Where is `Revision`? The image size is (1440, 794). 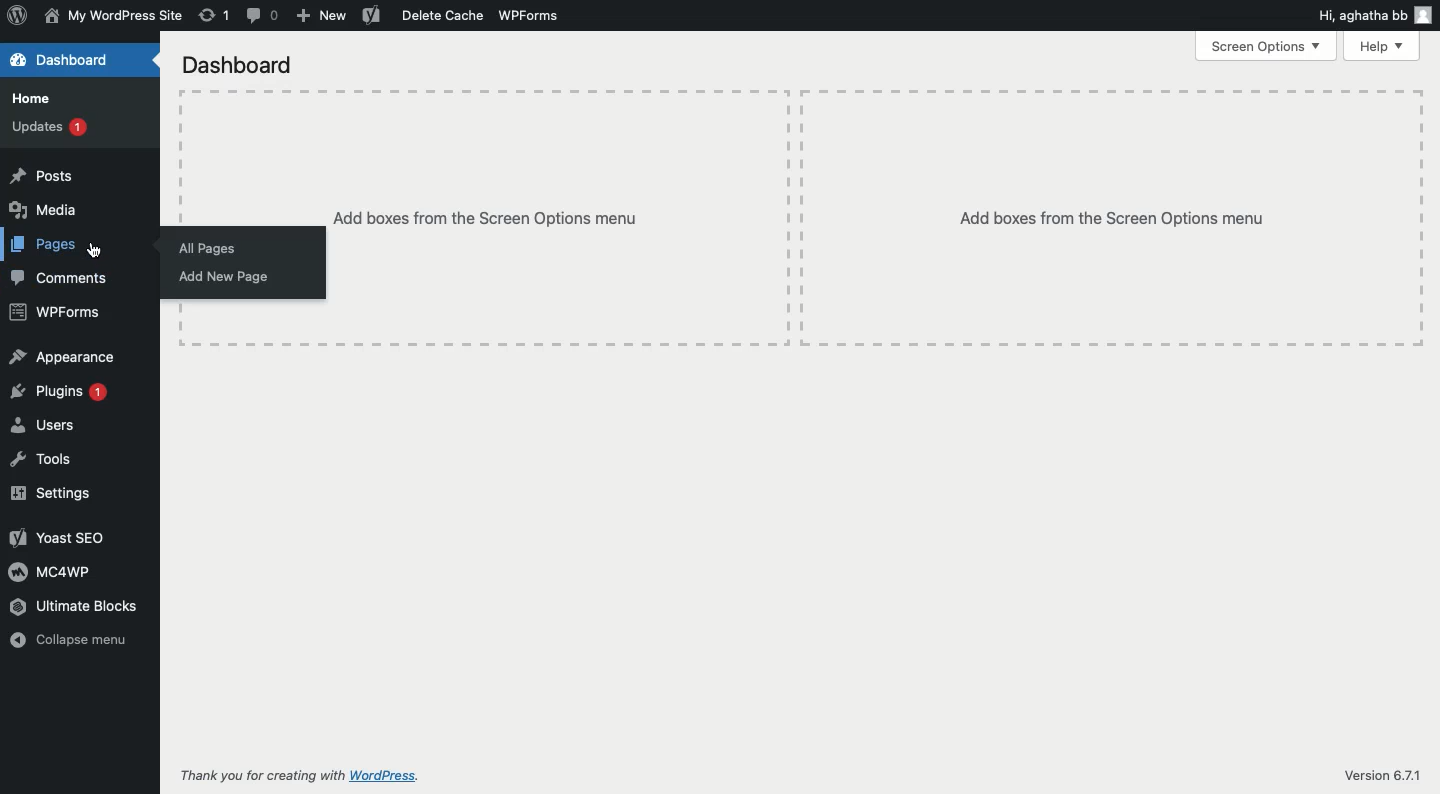
Revision is located at coordinates (213, 14).